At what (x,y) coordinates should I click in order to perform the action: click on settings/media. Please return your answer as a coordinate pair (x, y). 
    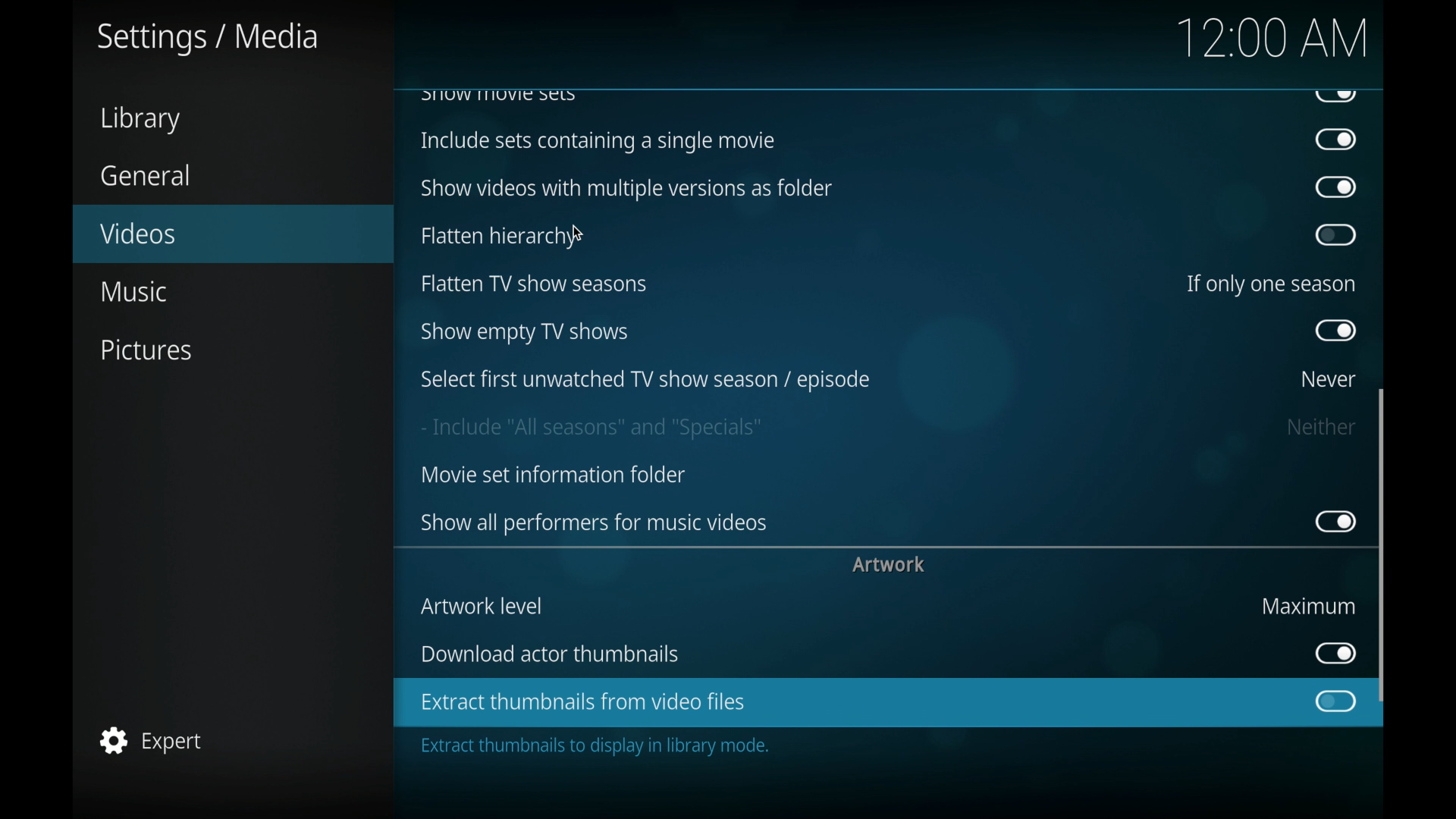
    Looking at the image, I should click on (206, 38).